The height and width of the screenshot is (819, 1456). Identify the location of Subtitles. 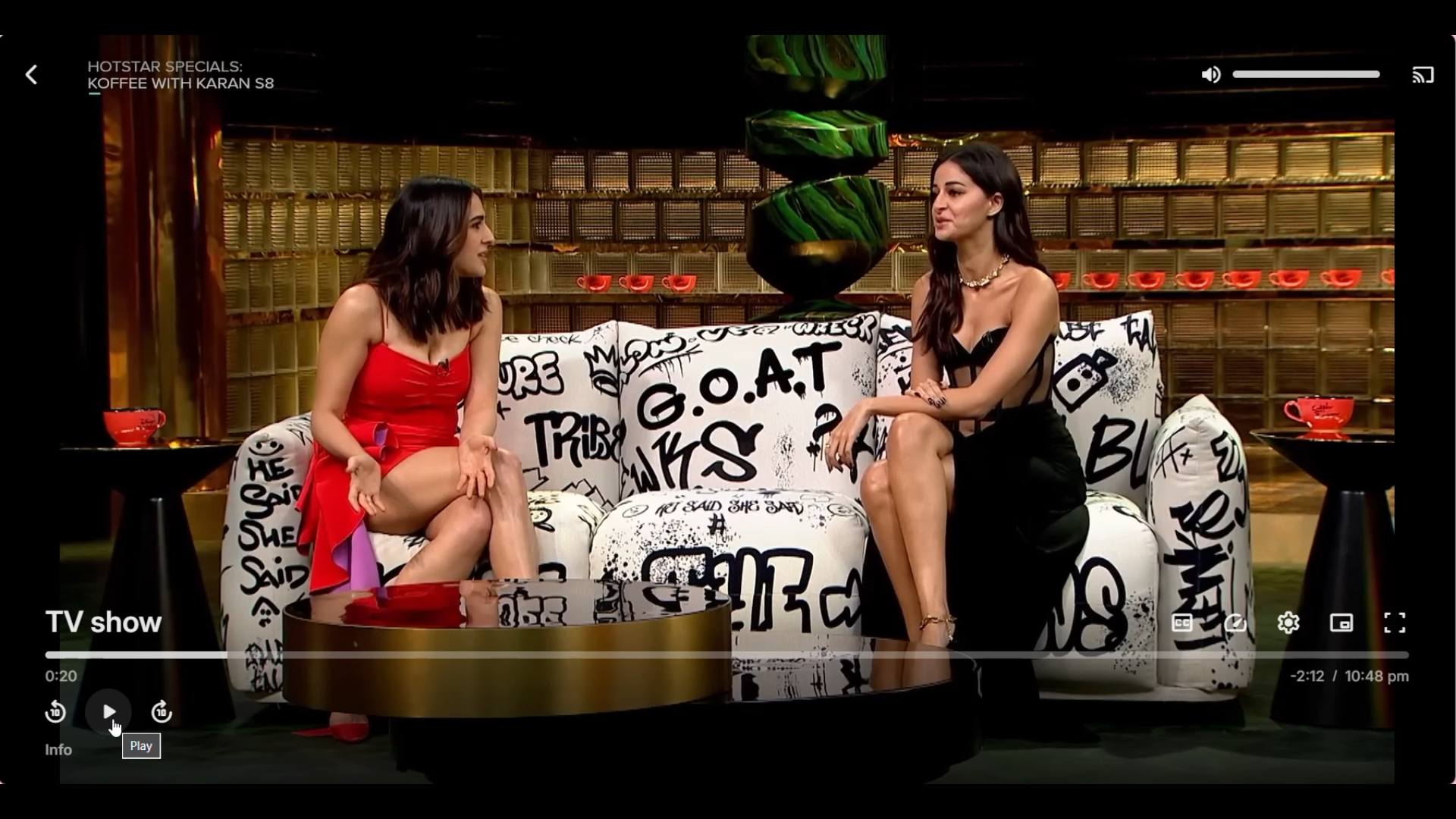
(1183, 623).